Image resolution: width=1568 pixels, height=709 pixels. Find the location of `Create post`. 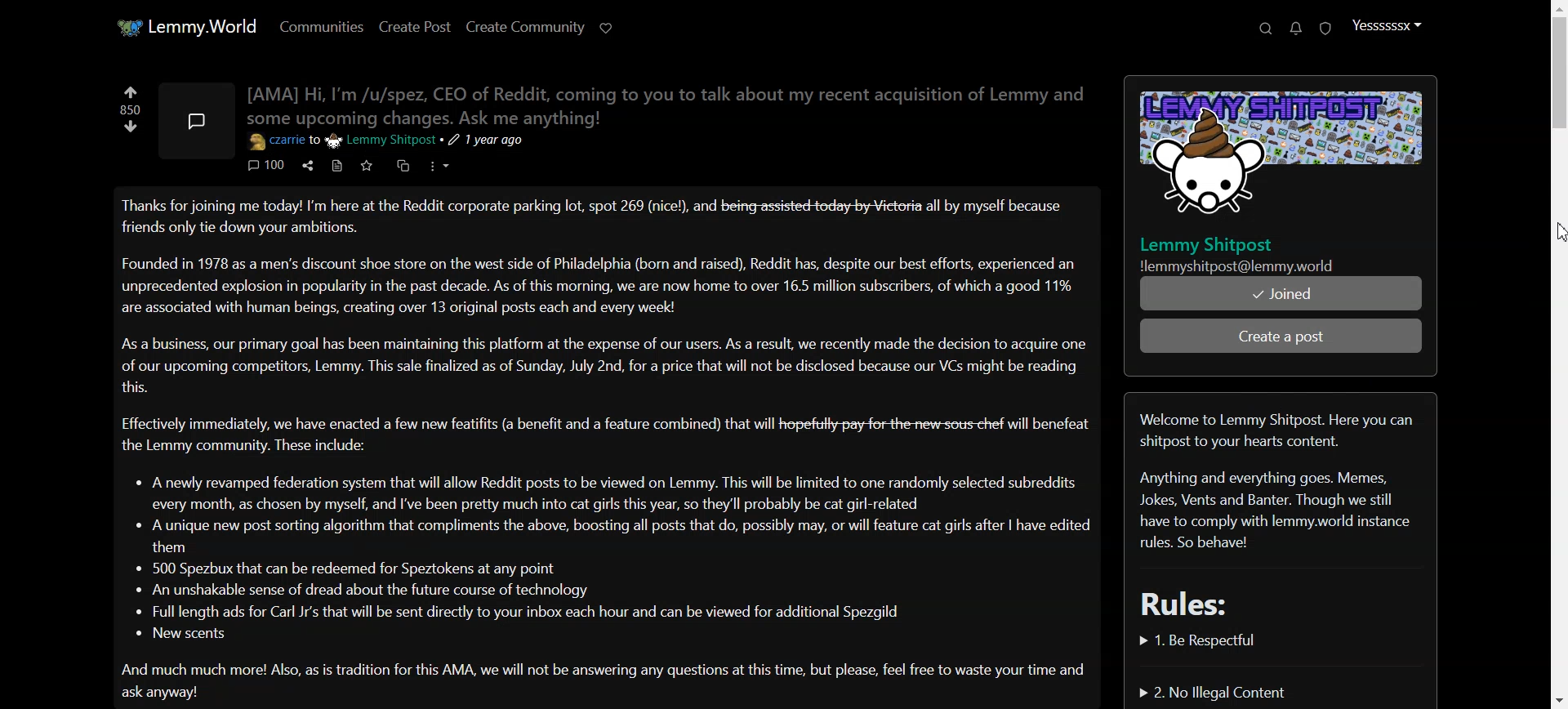

Create post is located at coordinates (1281, 337).